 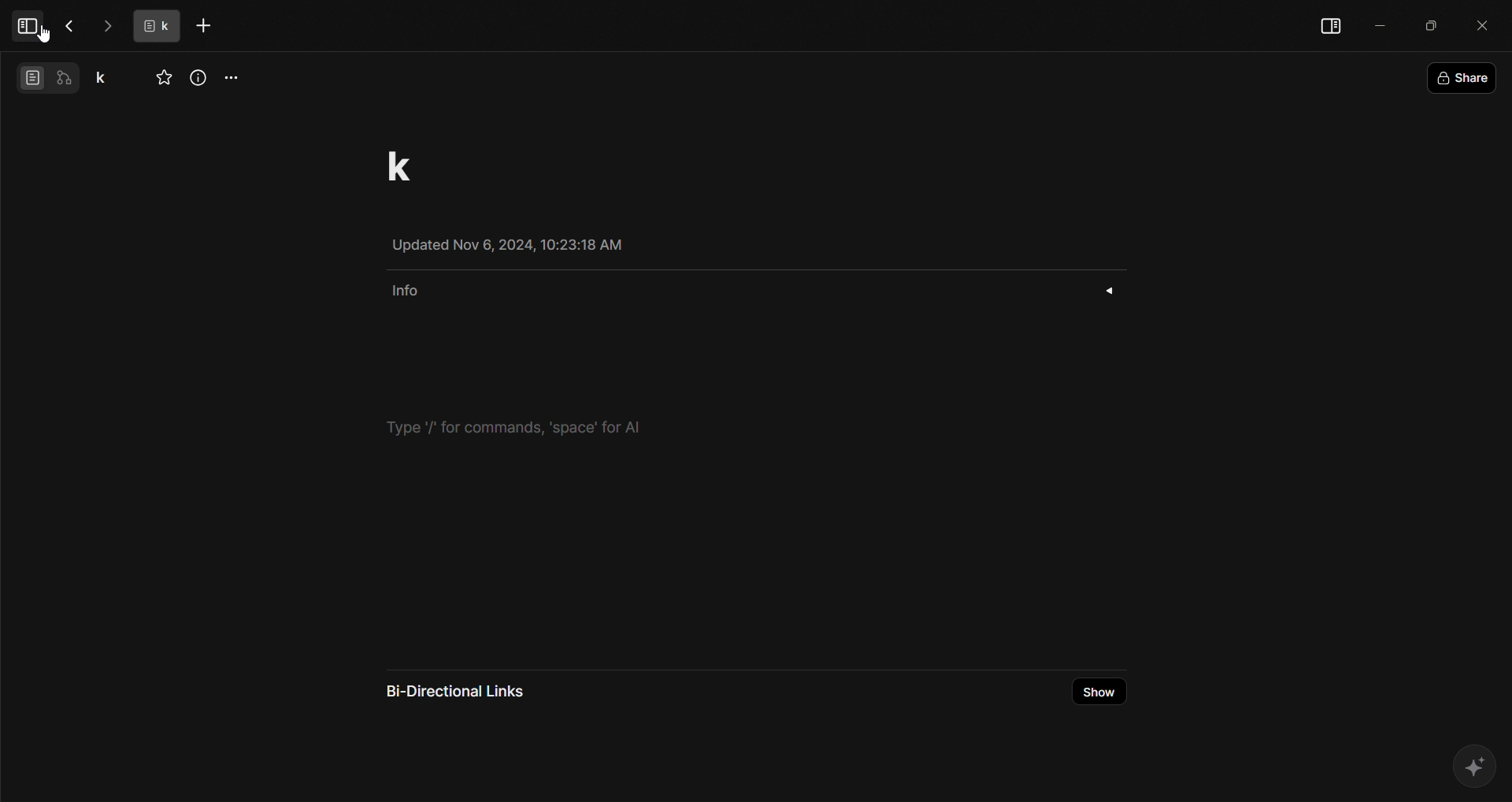 What do you see at coordinates (516, 243) in the screenshot?
I see `Updated Nov 6, 2024, 10:23:18 AM` at bounding box center [516, 243].